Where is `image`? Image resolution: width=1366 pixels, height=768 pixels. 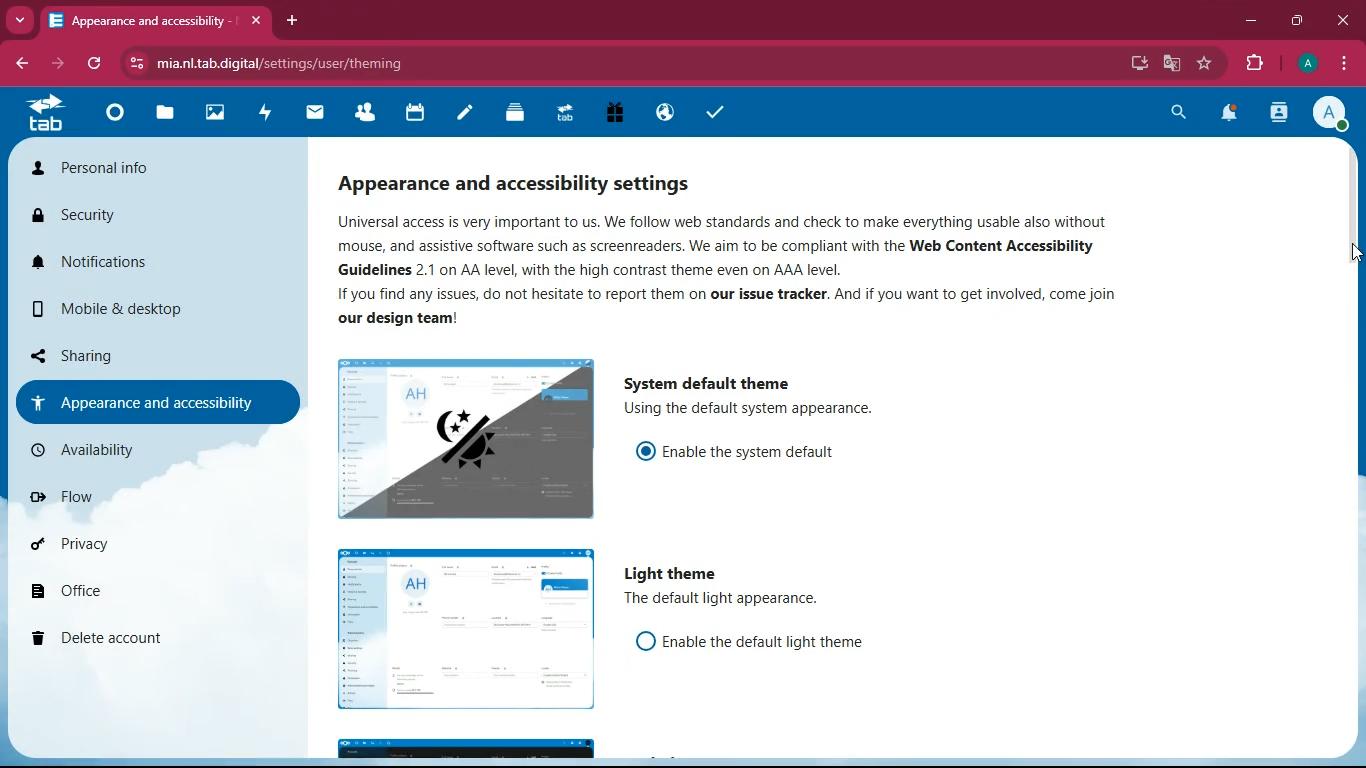
image is located at coordinates (457, 633).